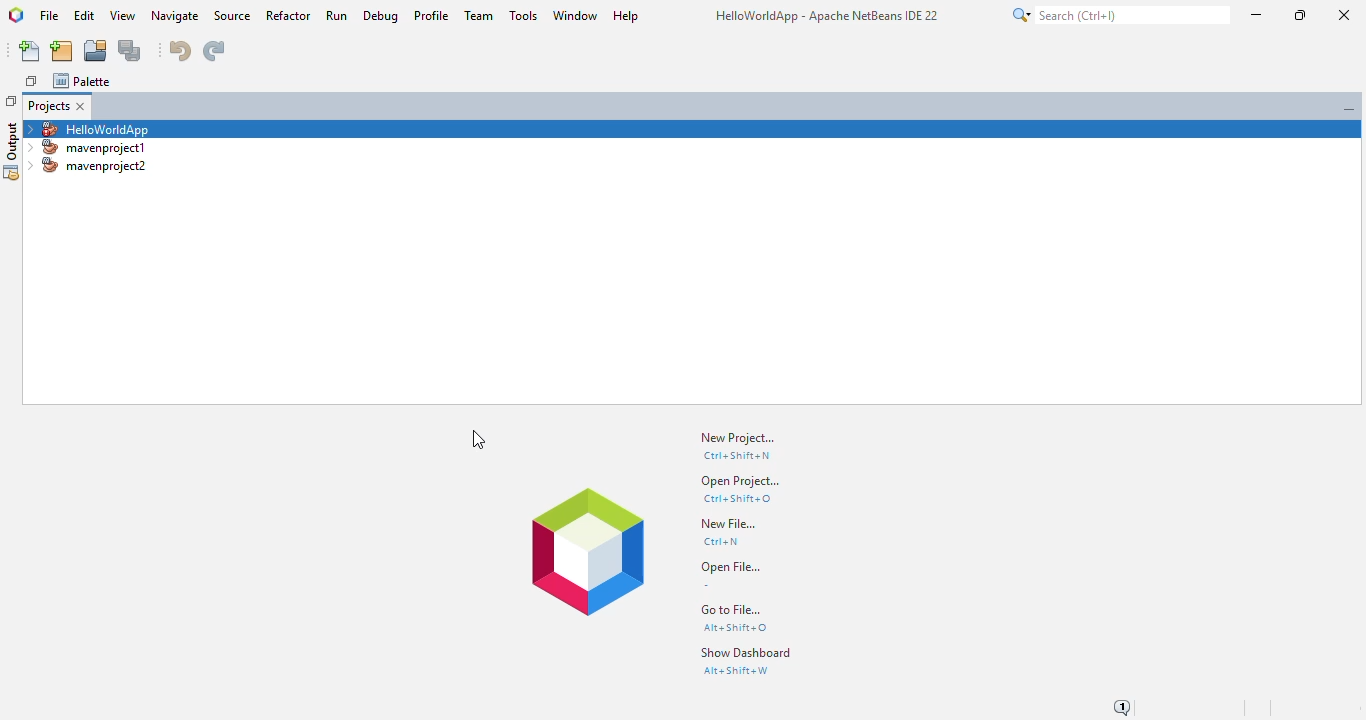 This screenshot has height=720, width=1366. I want to click on -, so click(707, 586).